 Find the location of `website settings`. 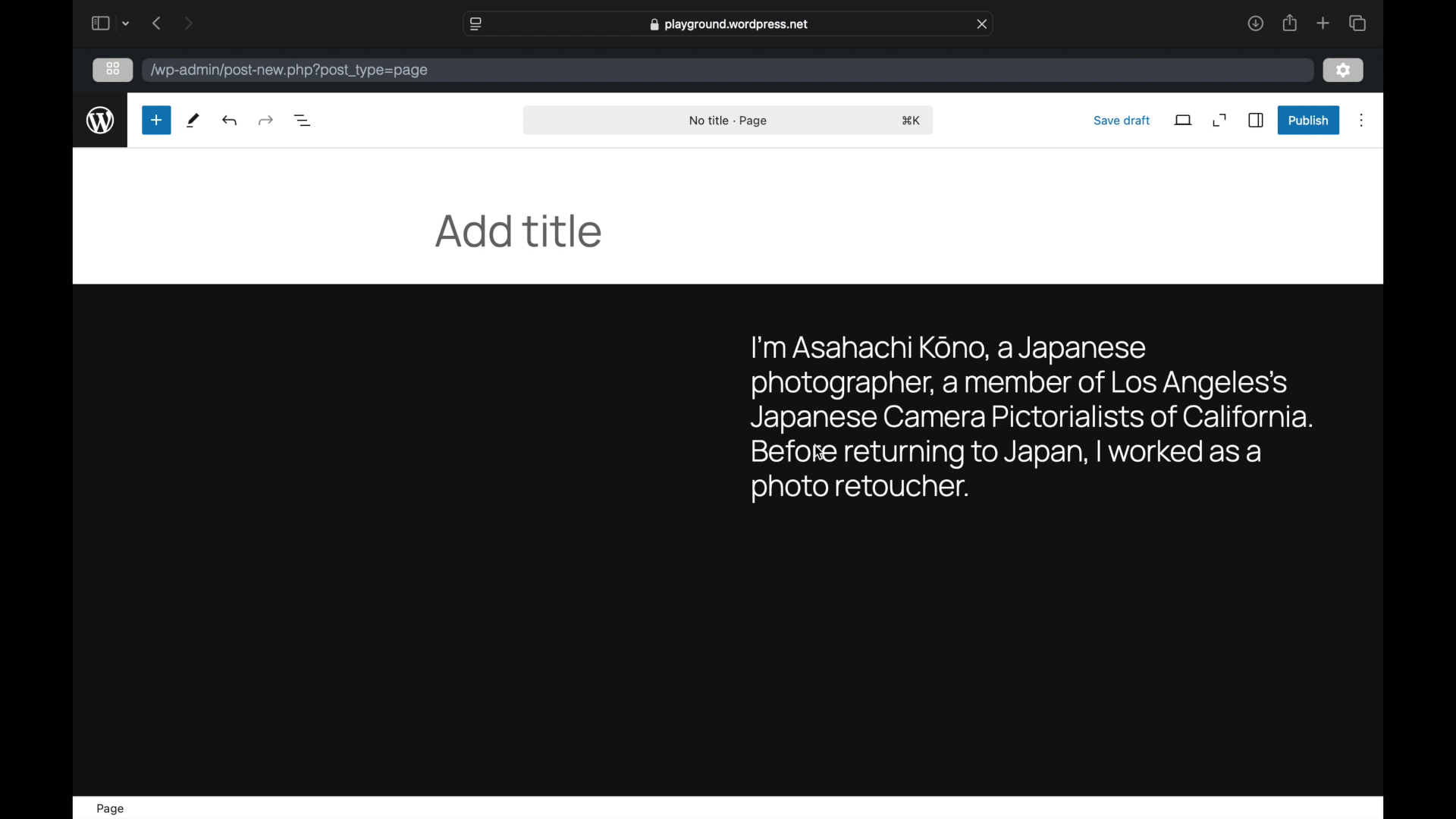

website settings is located at coordinates (474, 24).